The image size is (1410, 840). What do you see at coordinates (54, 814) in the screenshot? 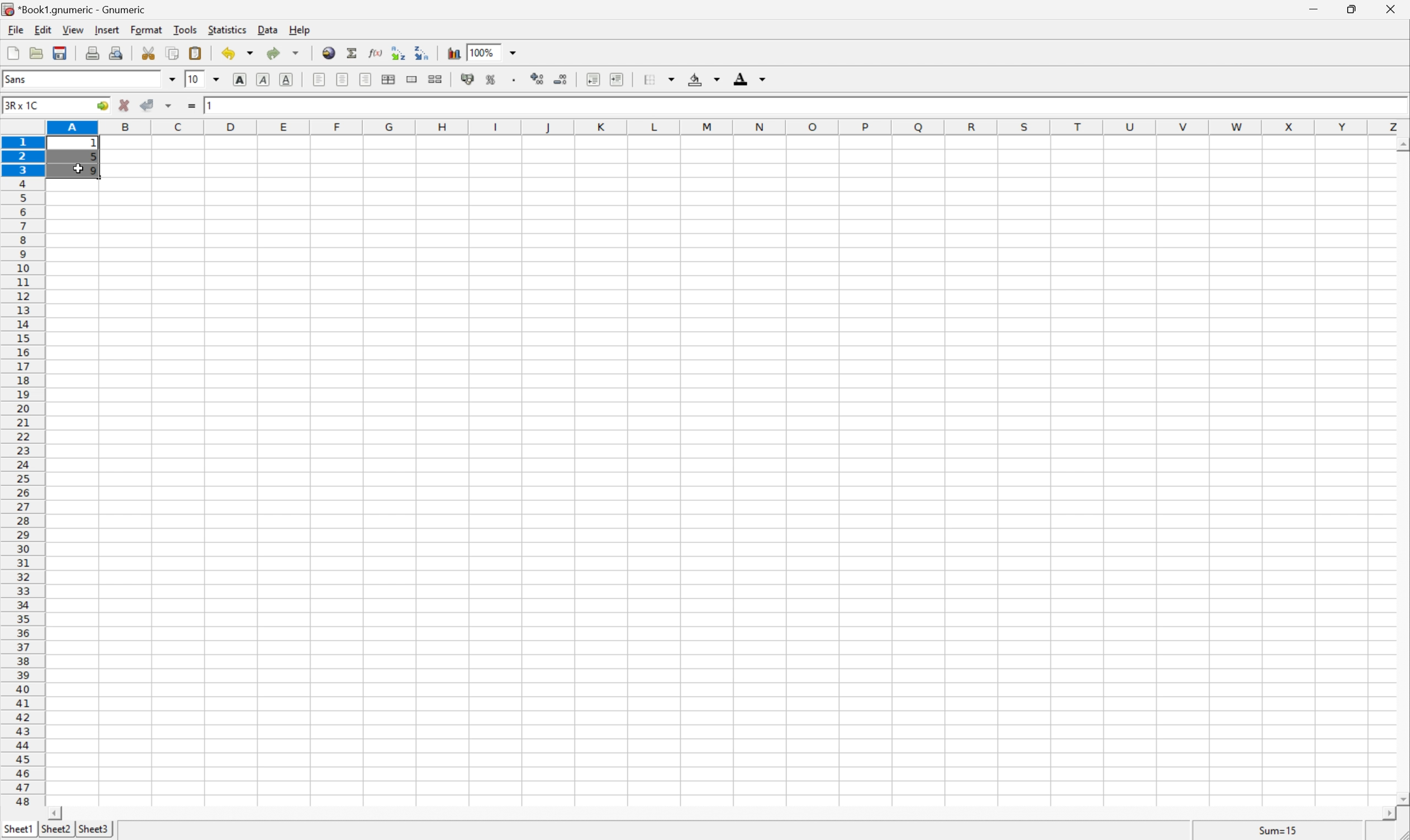
I see `scroll left` at bounding box center [54, 814].